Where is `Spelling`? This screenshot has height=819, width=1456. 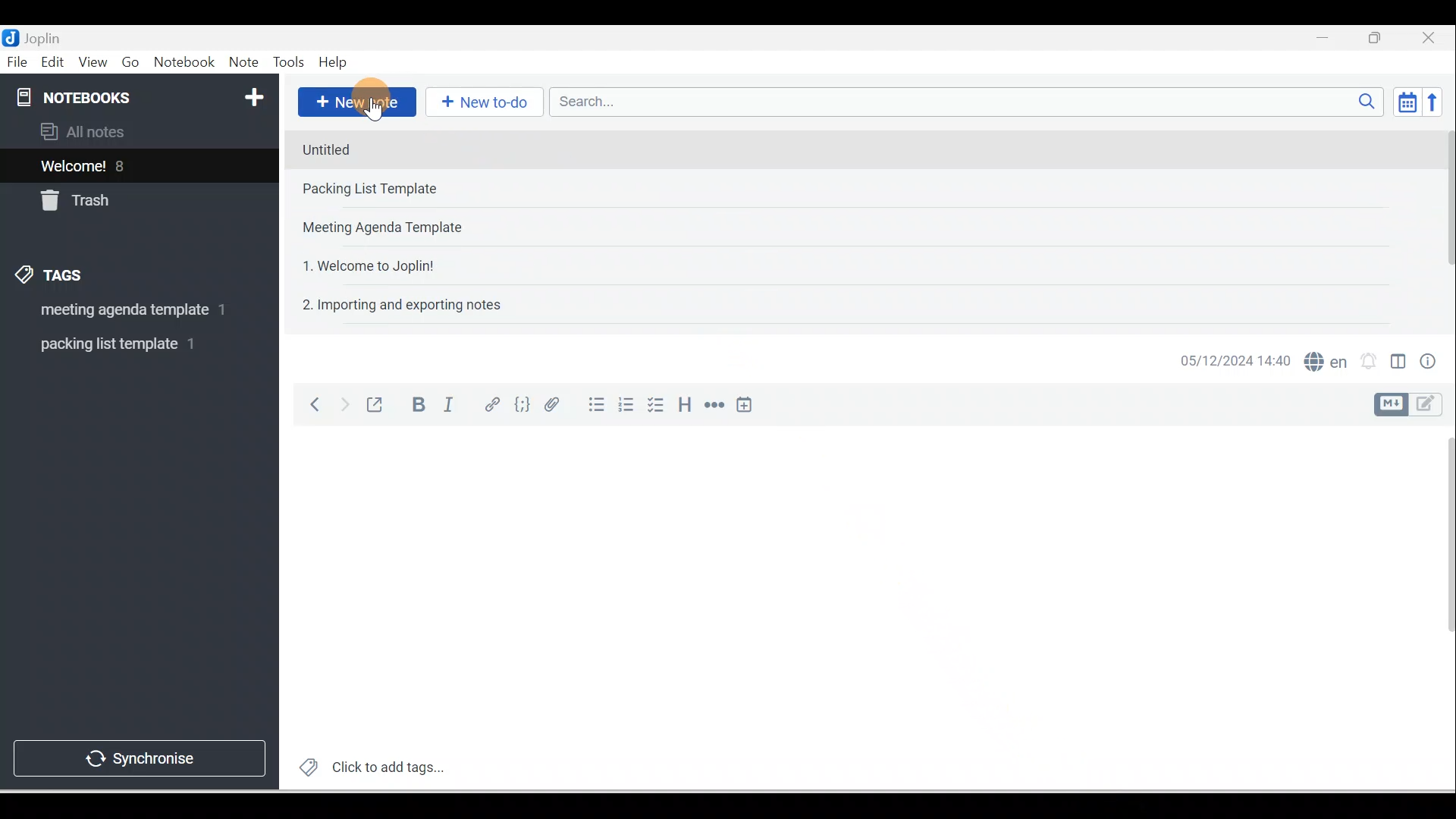 Spelling is located at coordinates (1323, 359).